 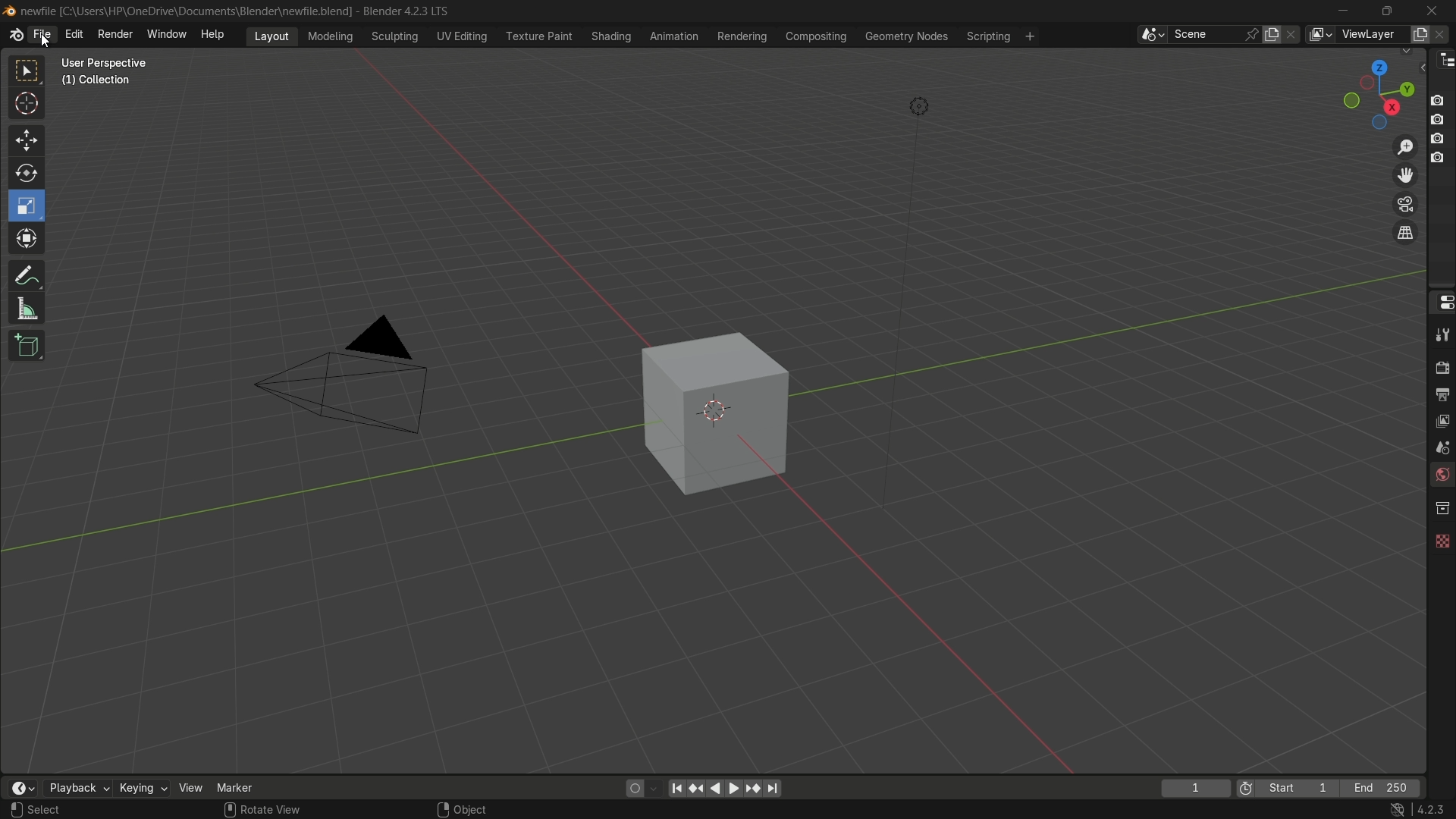 I want to click on world, so click(x=1441, y=476).